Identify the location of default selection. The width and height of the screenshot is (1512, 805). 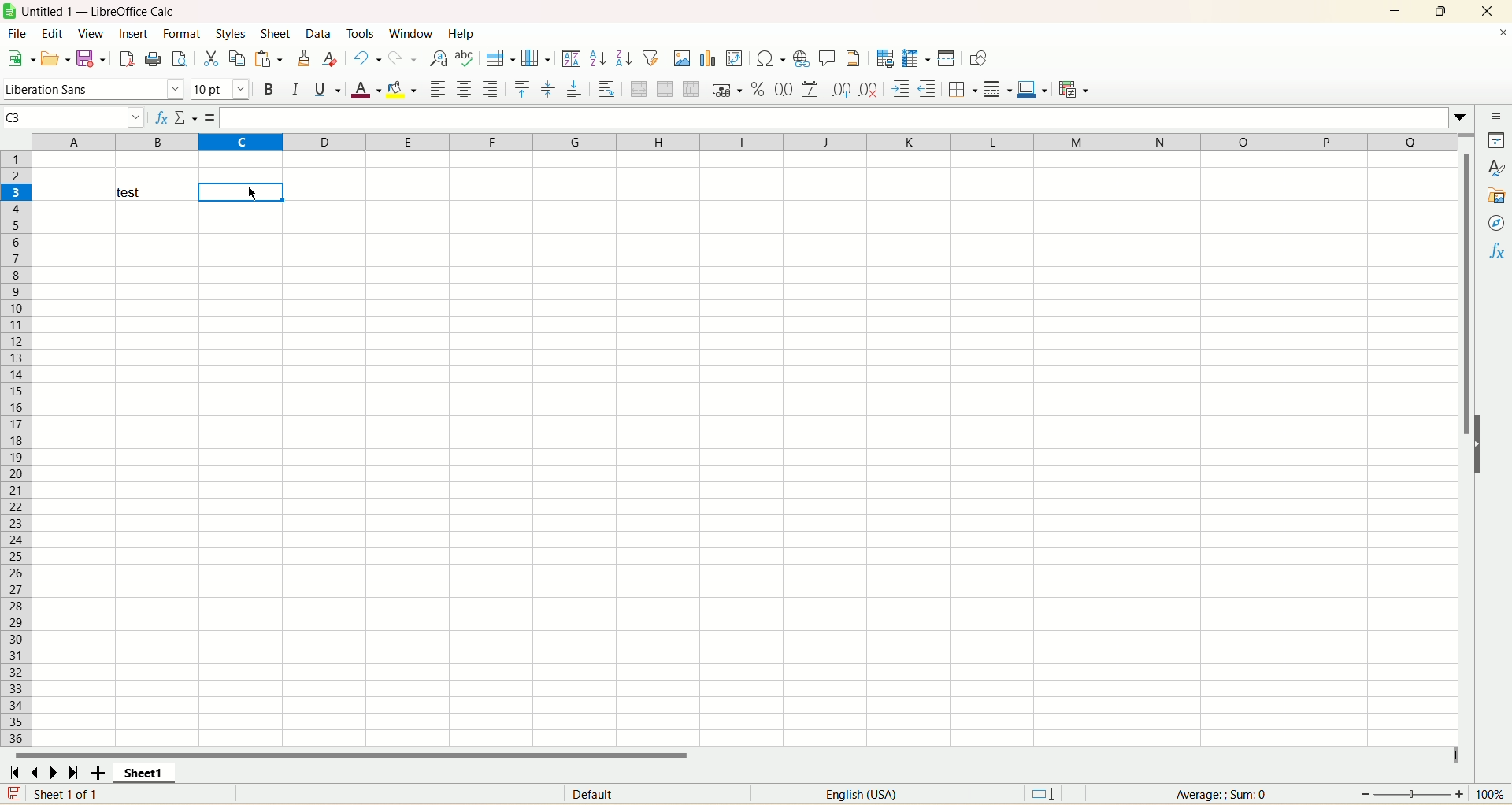
(1043, 794).